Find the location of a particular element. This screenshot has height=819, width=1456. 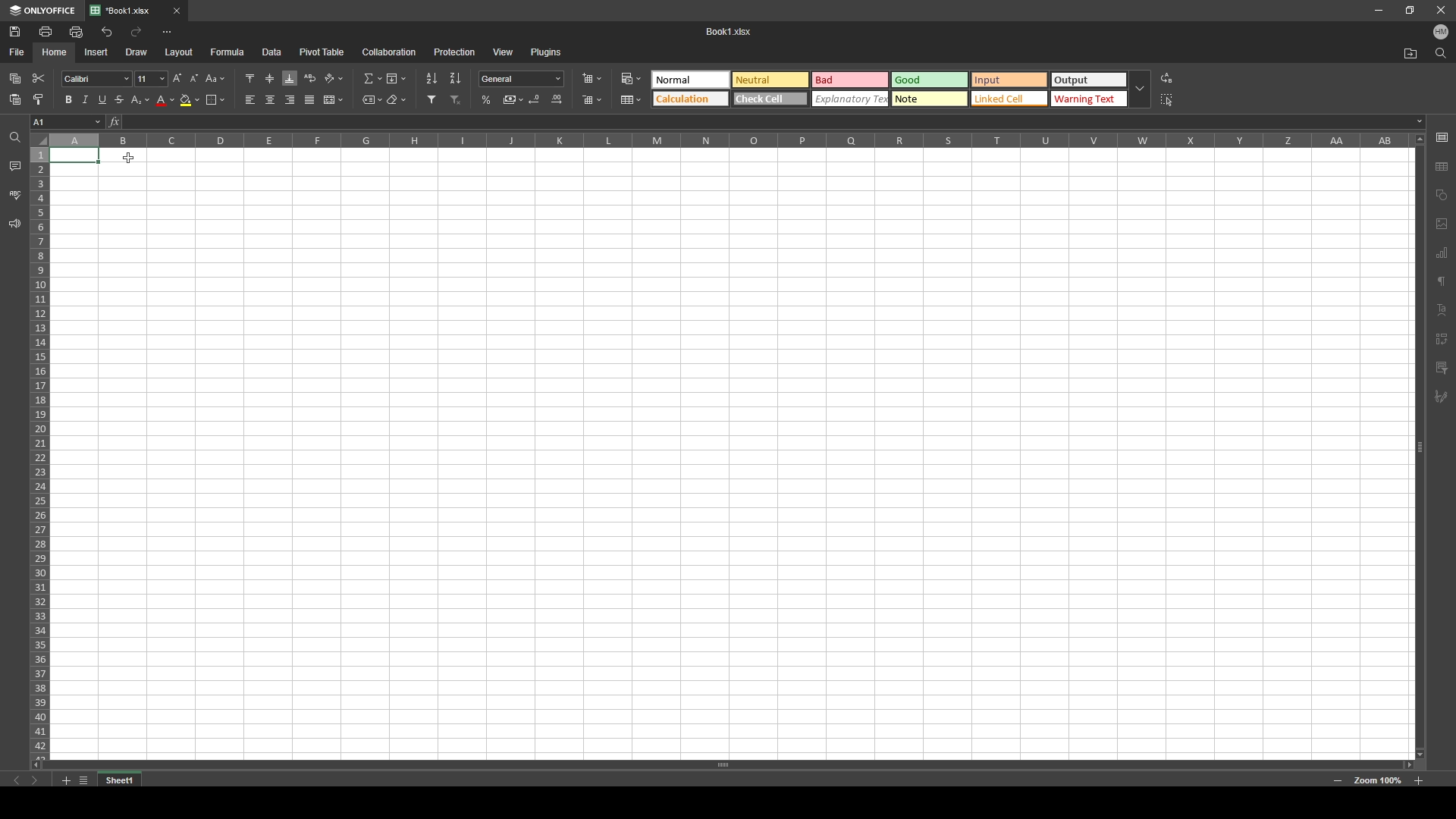

zoom in is located at coordinates (1418, 780).